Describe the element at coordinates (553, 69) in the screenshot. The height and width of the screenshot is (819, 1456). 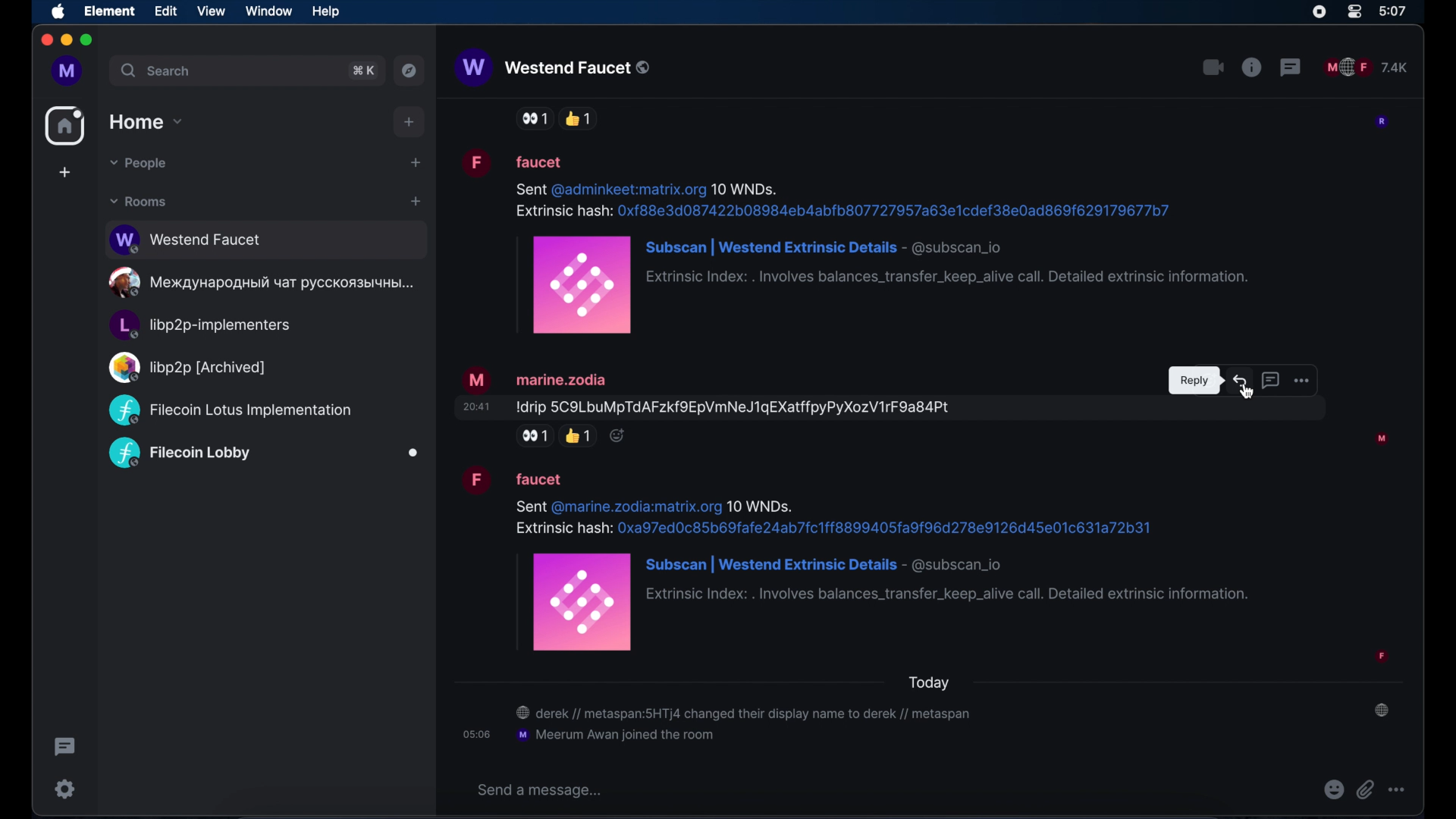
I see `westend faucet public room name` at that location.